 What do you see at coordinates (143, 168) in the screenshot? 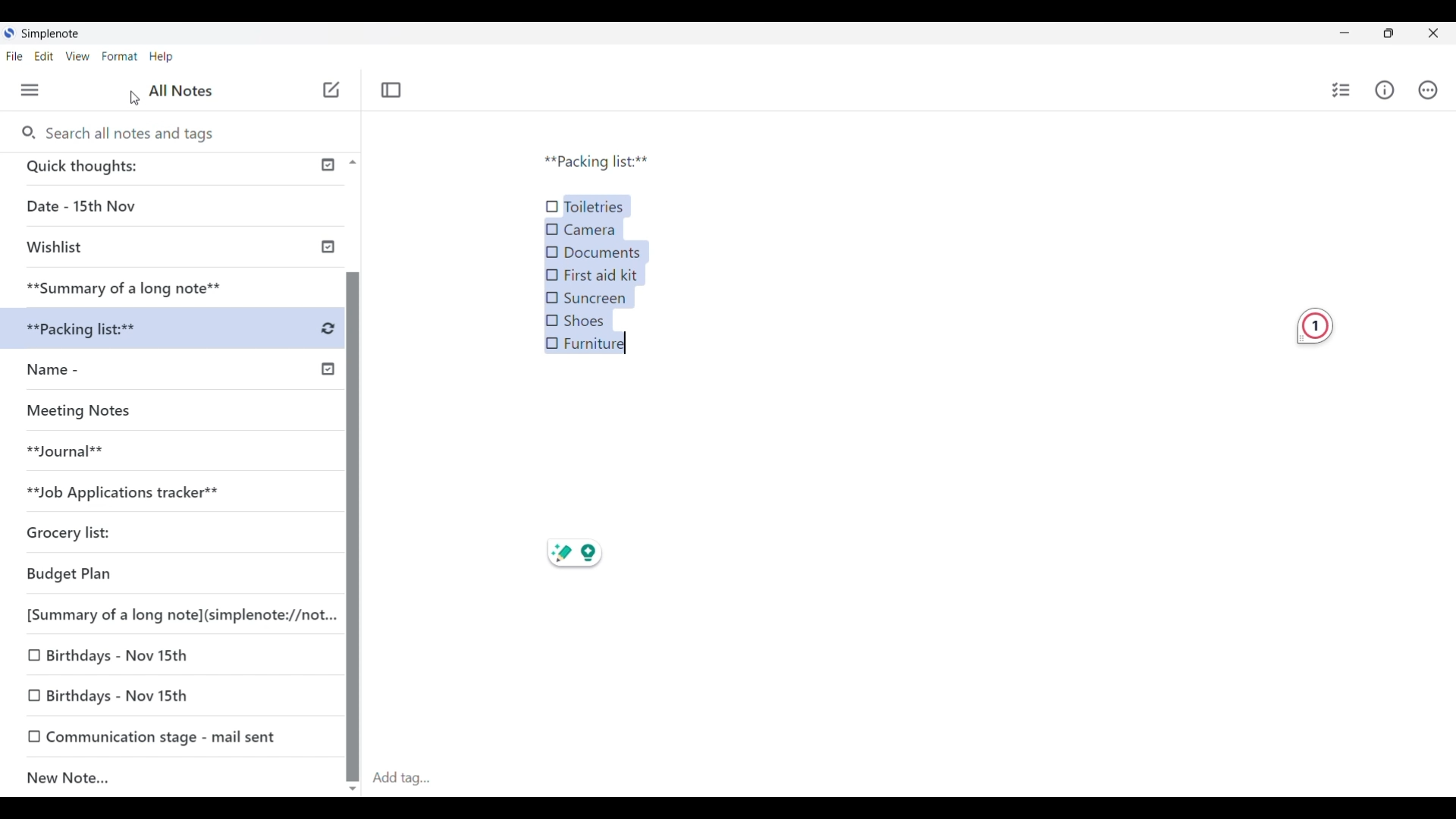
I see `Quick thoughts` at bounding box center [143, 168].